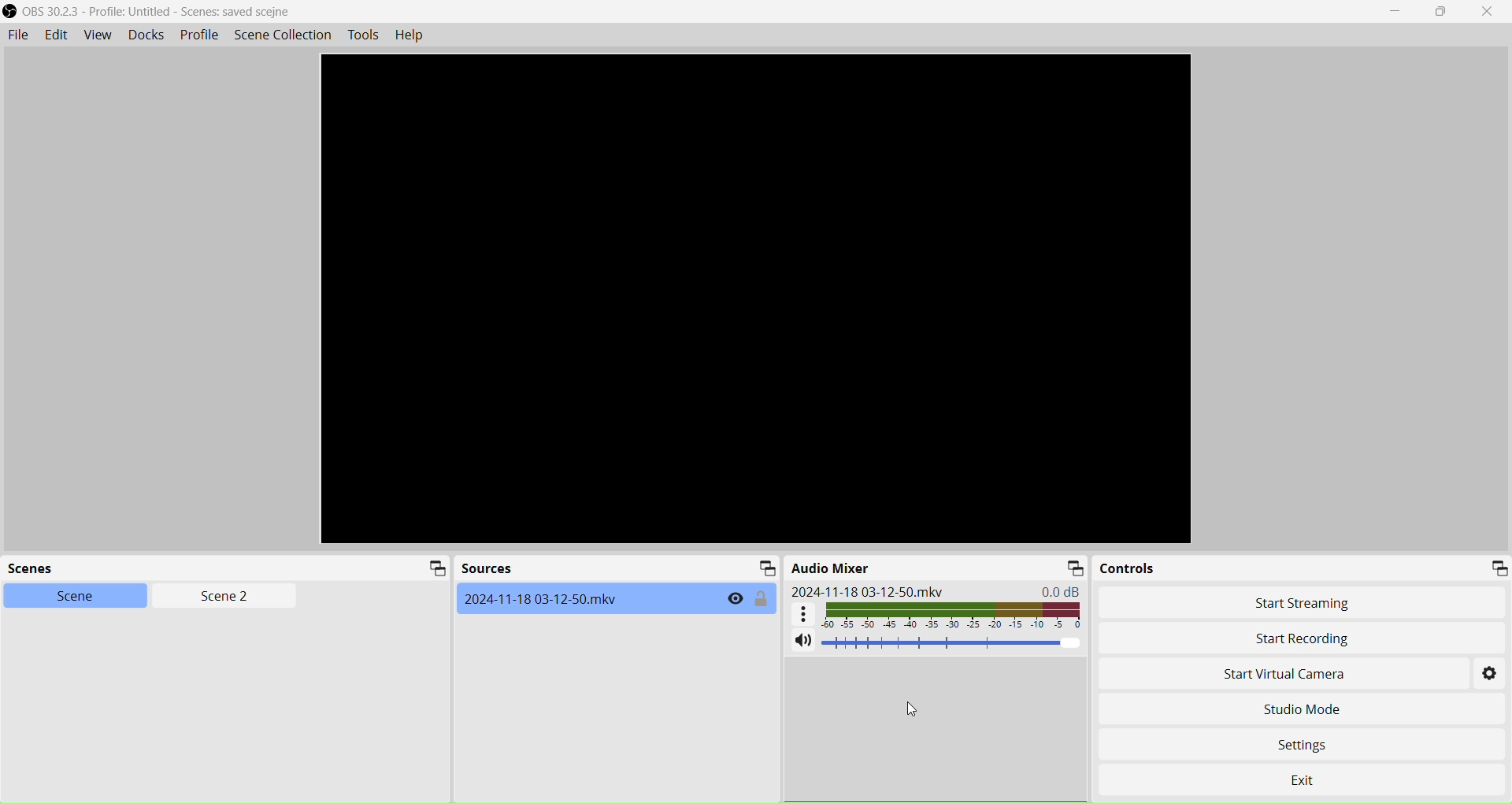  What do you see at coordinates (144, 34) in the screenshot?
I see `Docks` at bounding box center [144, 34].